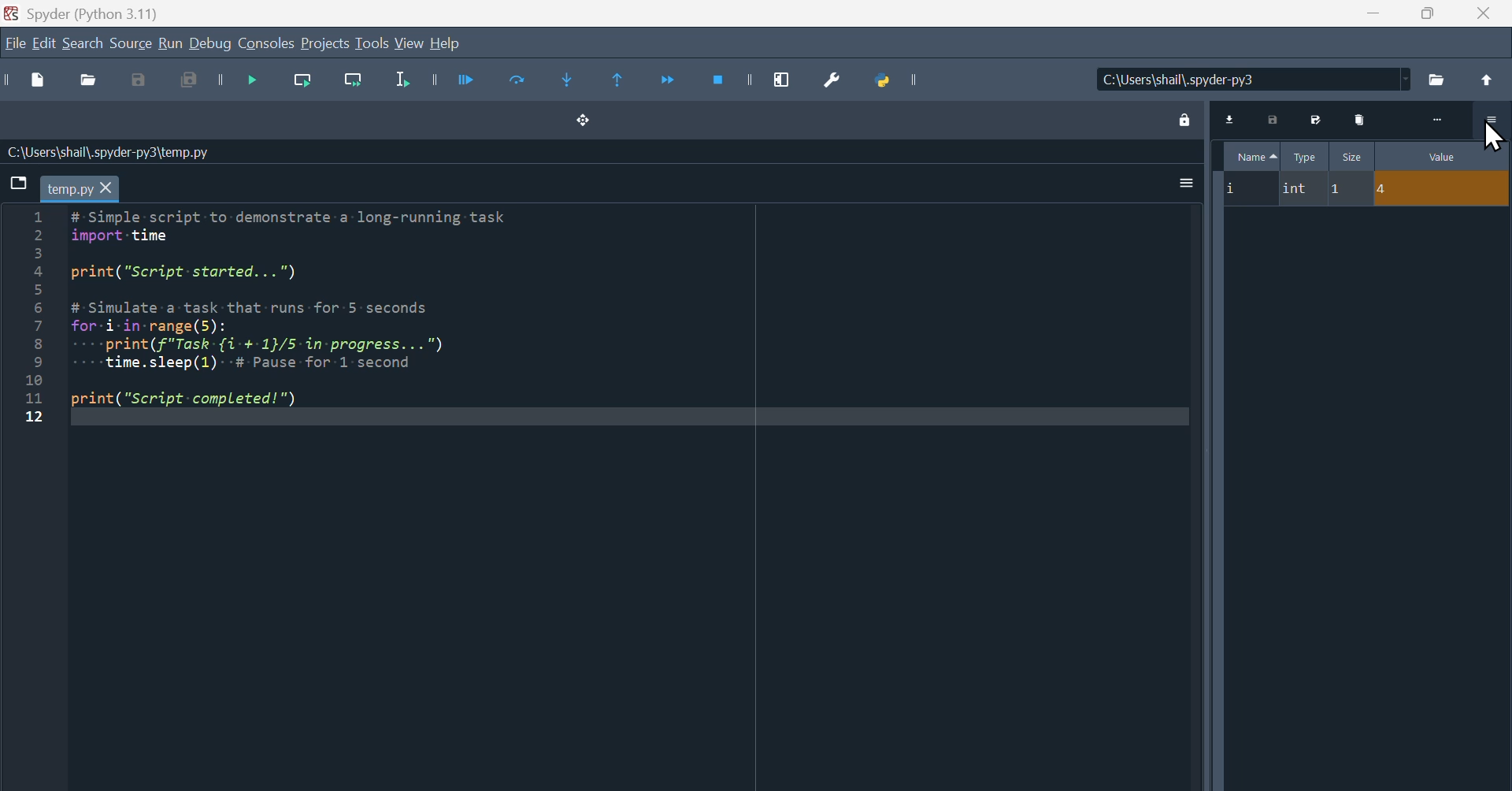 This screenshot has width=1512, height=791. Describe the element at coordinates (1273, 118) in the screenshot. I see `Save data` at that location.